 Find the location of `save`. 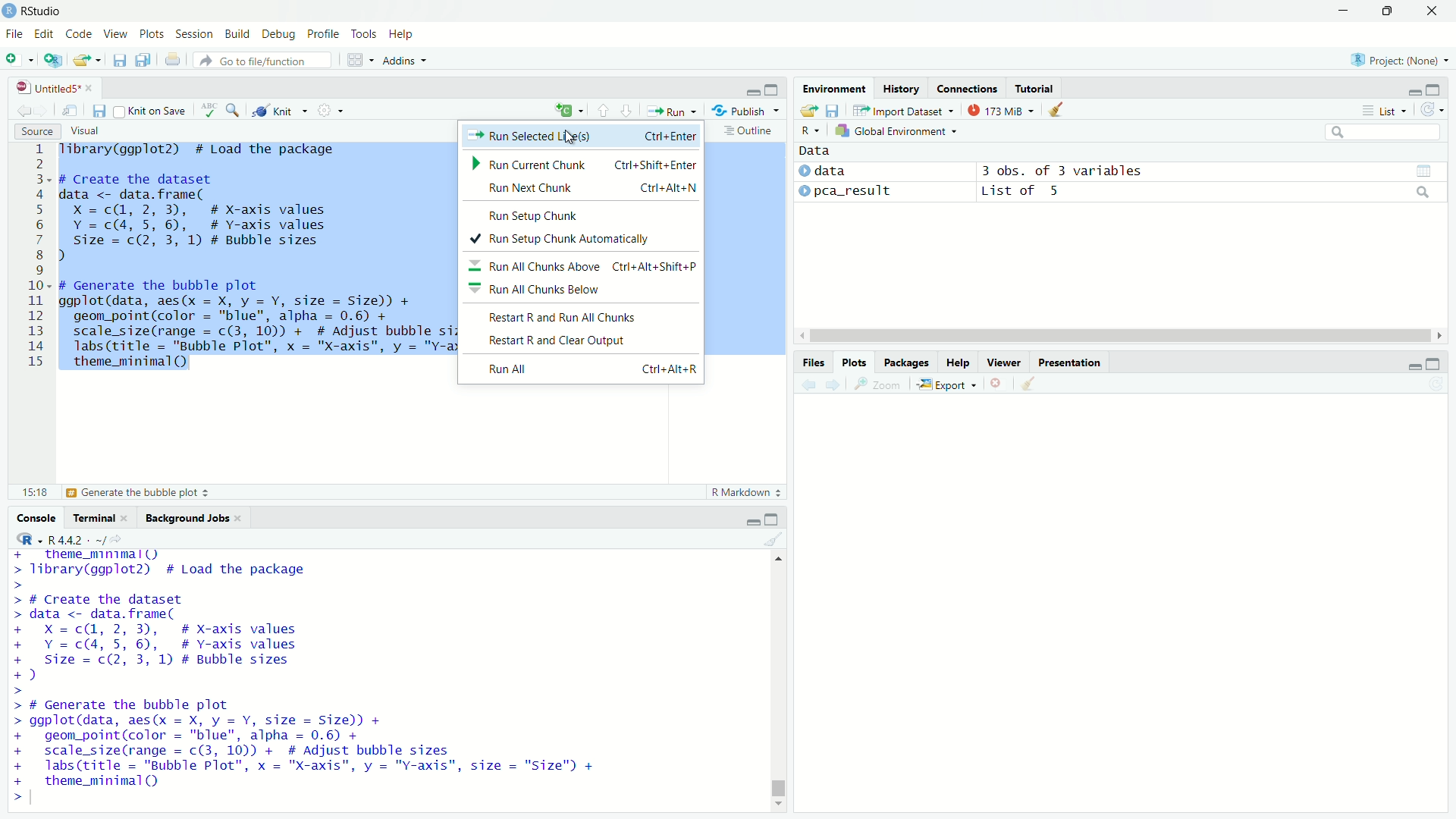

save is located at coordinates (100, 111).